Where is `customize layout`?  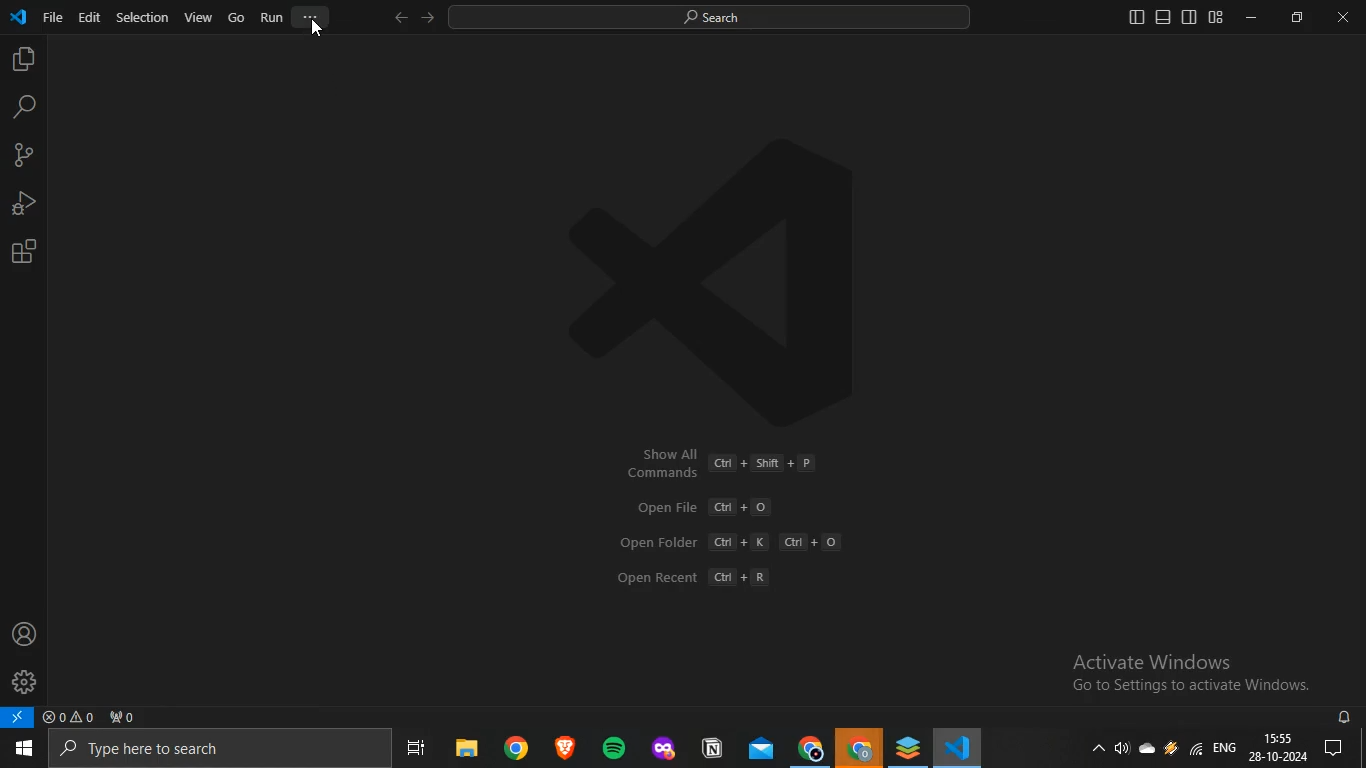
customize layout is located at coordinates (1217, 18).